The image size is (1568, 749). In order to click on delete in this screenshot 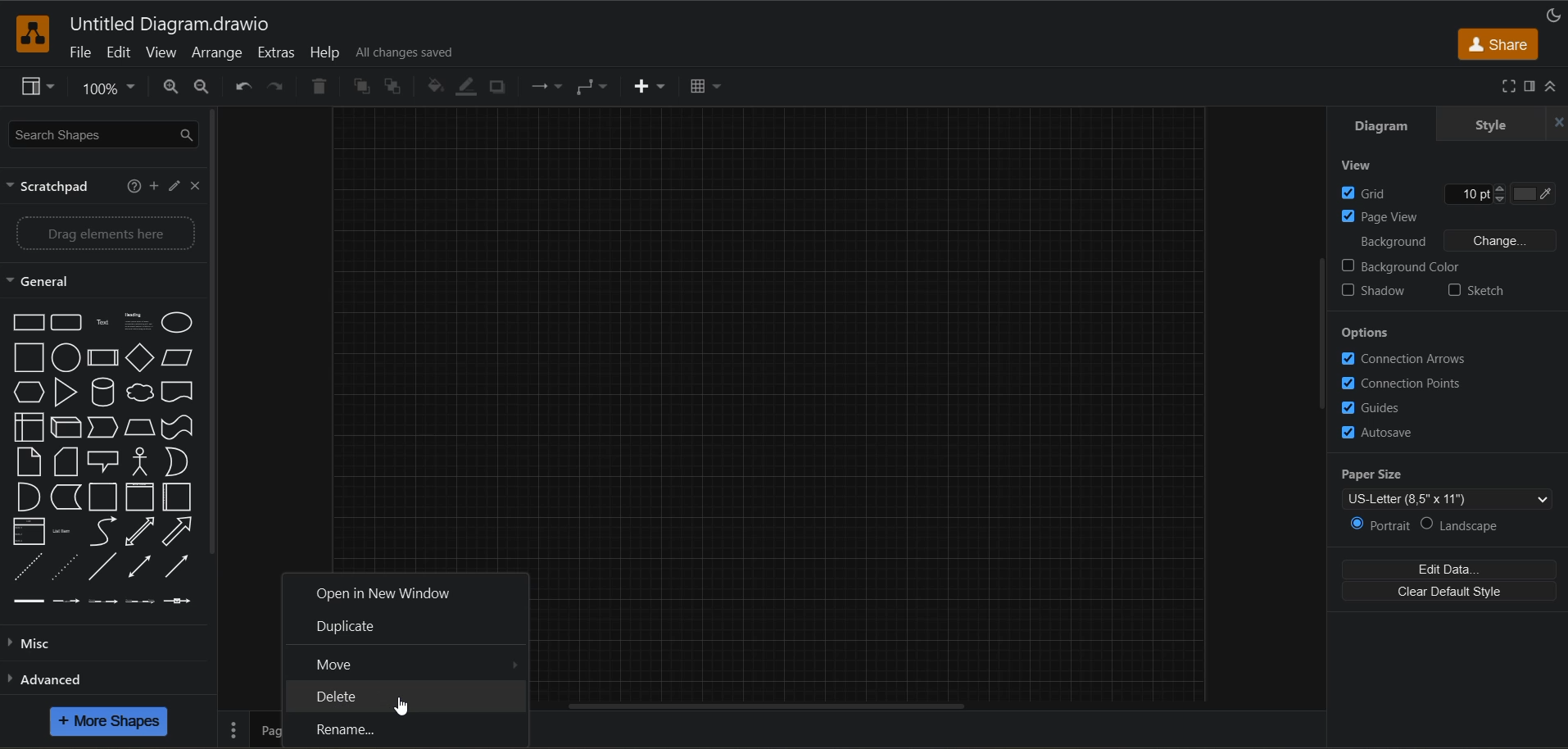, I will do `click(319, 88)`.